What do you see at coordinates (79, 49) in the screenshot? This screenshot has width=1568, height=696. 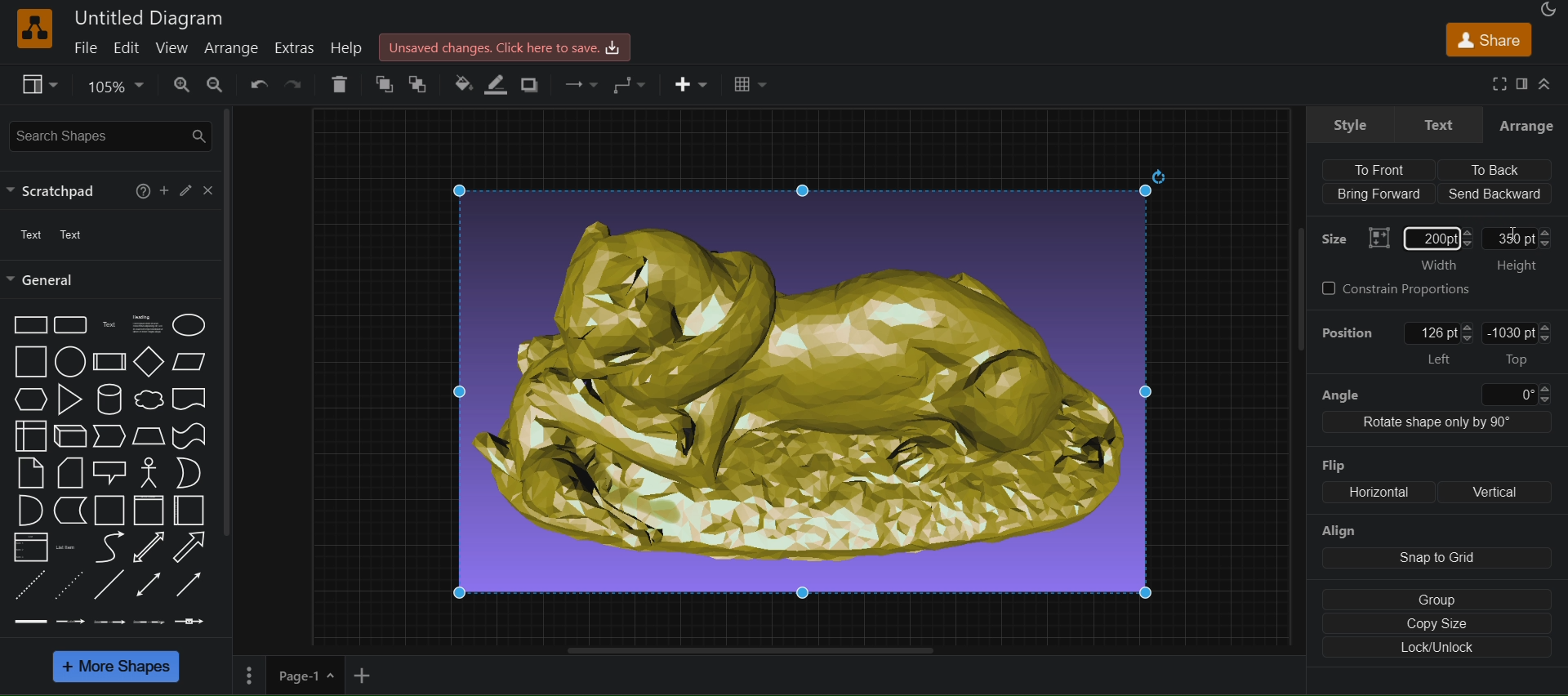 I see `file` at bounding box center [79, 49].